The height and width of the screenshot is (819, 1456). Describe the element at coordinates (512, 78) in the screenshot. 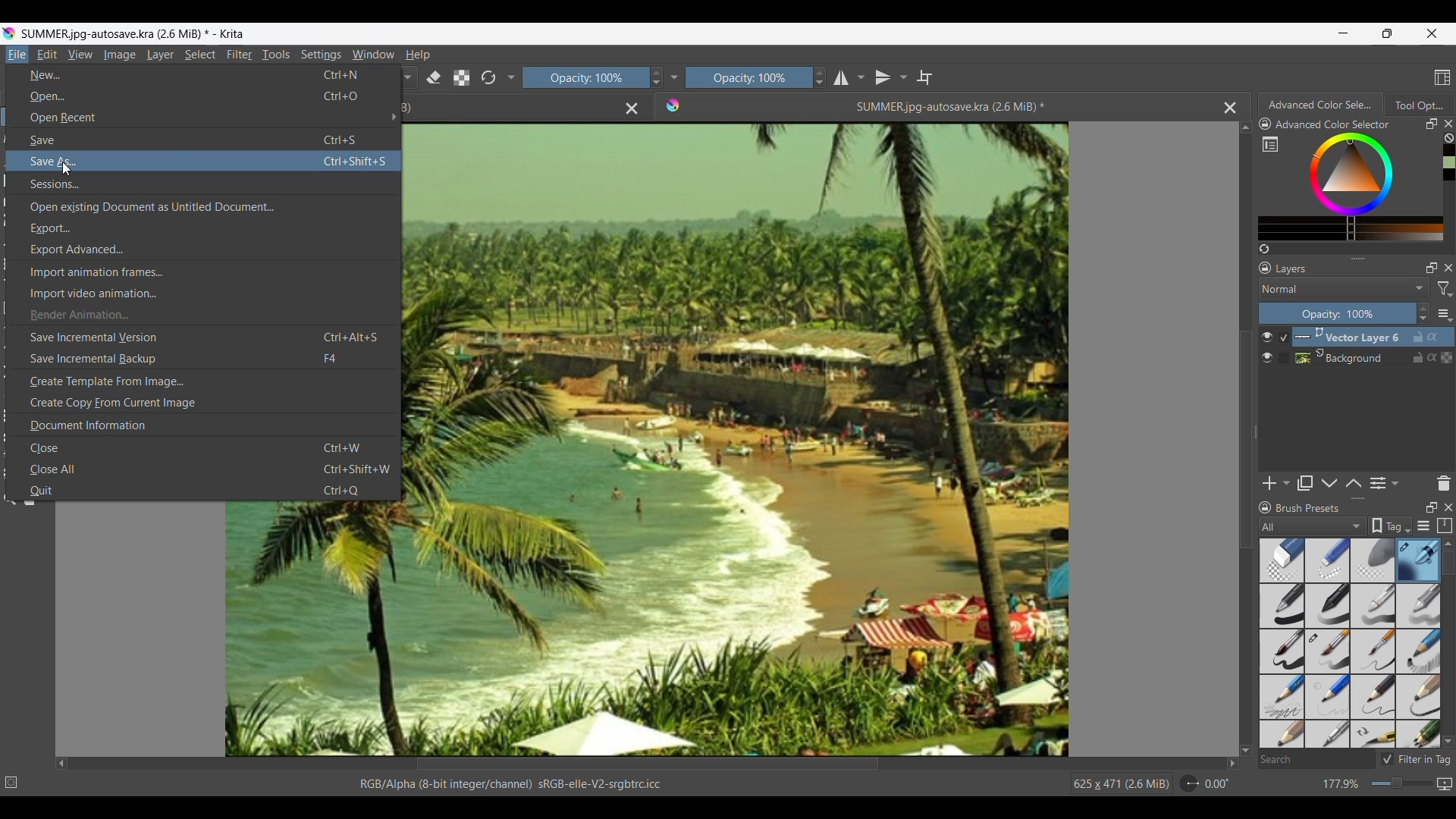

I see `Show/Hide more tools` at that location.